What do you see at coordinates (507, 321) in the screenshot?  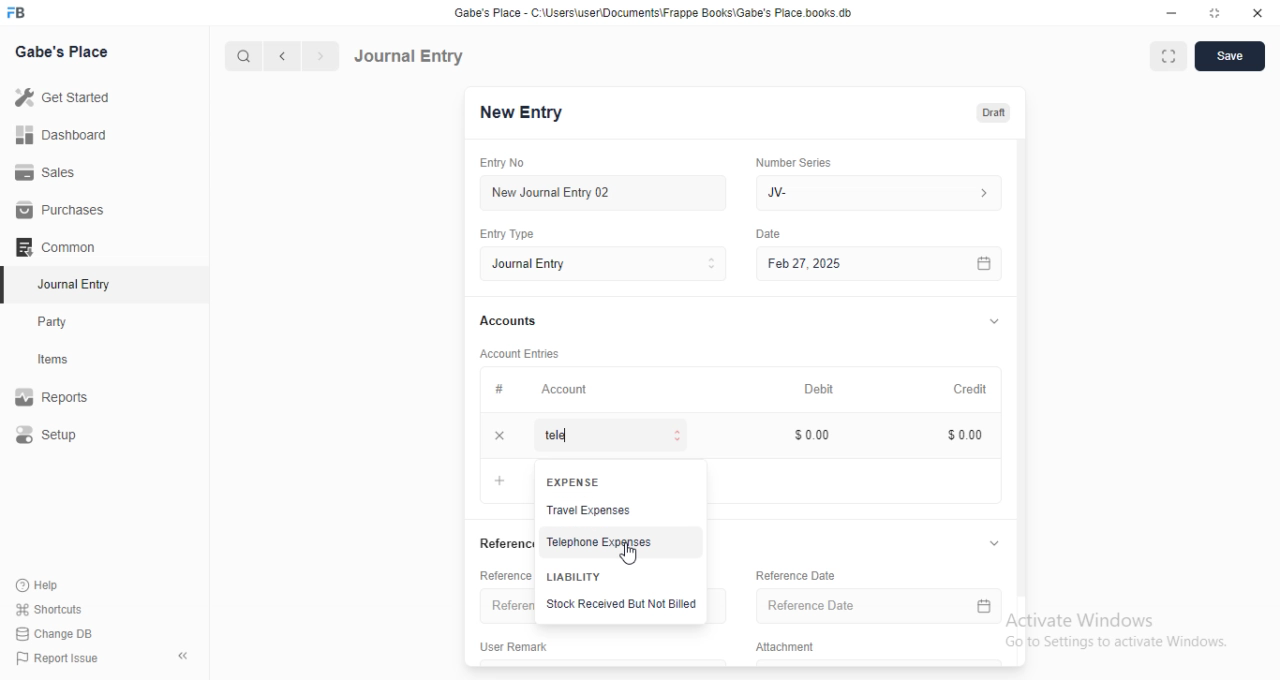 I see `Accounts` at bounding box center [507, 321].